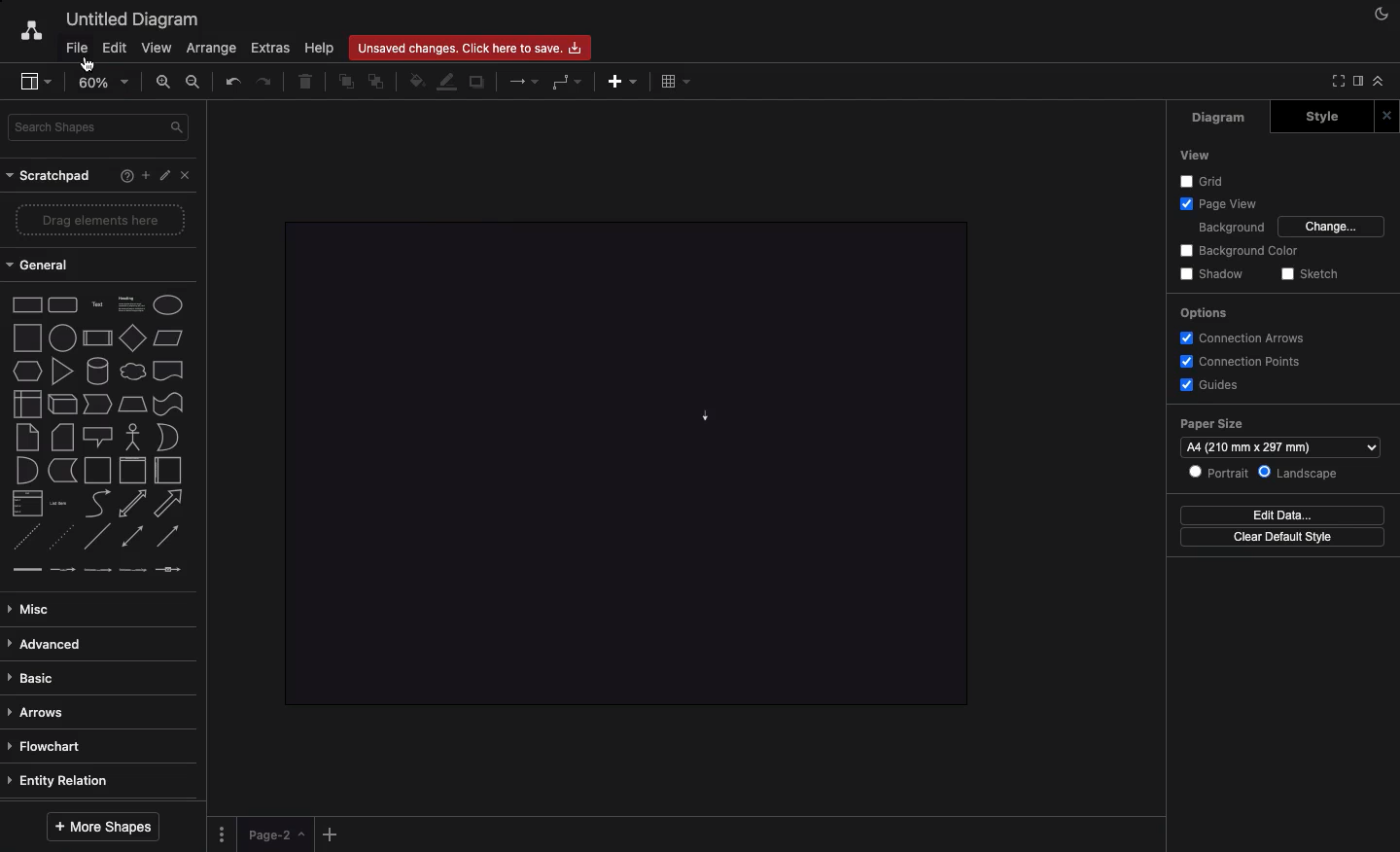 The height and width of the screenshot is (852, 1400). What do you see at coordinates (1299, 474) in the screenshot?
I see `Landscape` at bounding box center [1299, 474].